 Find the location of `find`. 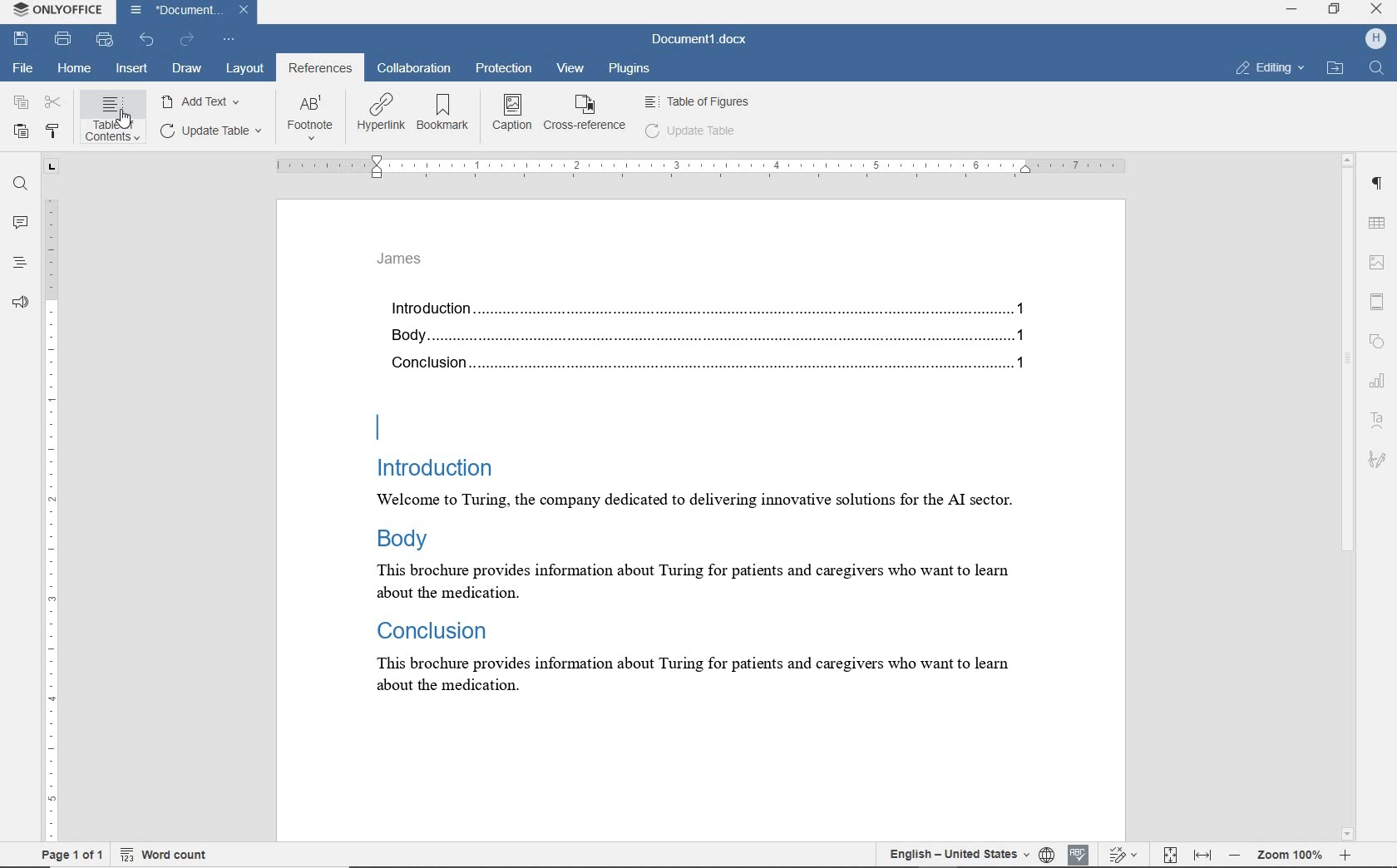

find is located at coordinates (18, 185).